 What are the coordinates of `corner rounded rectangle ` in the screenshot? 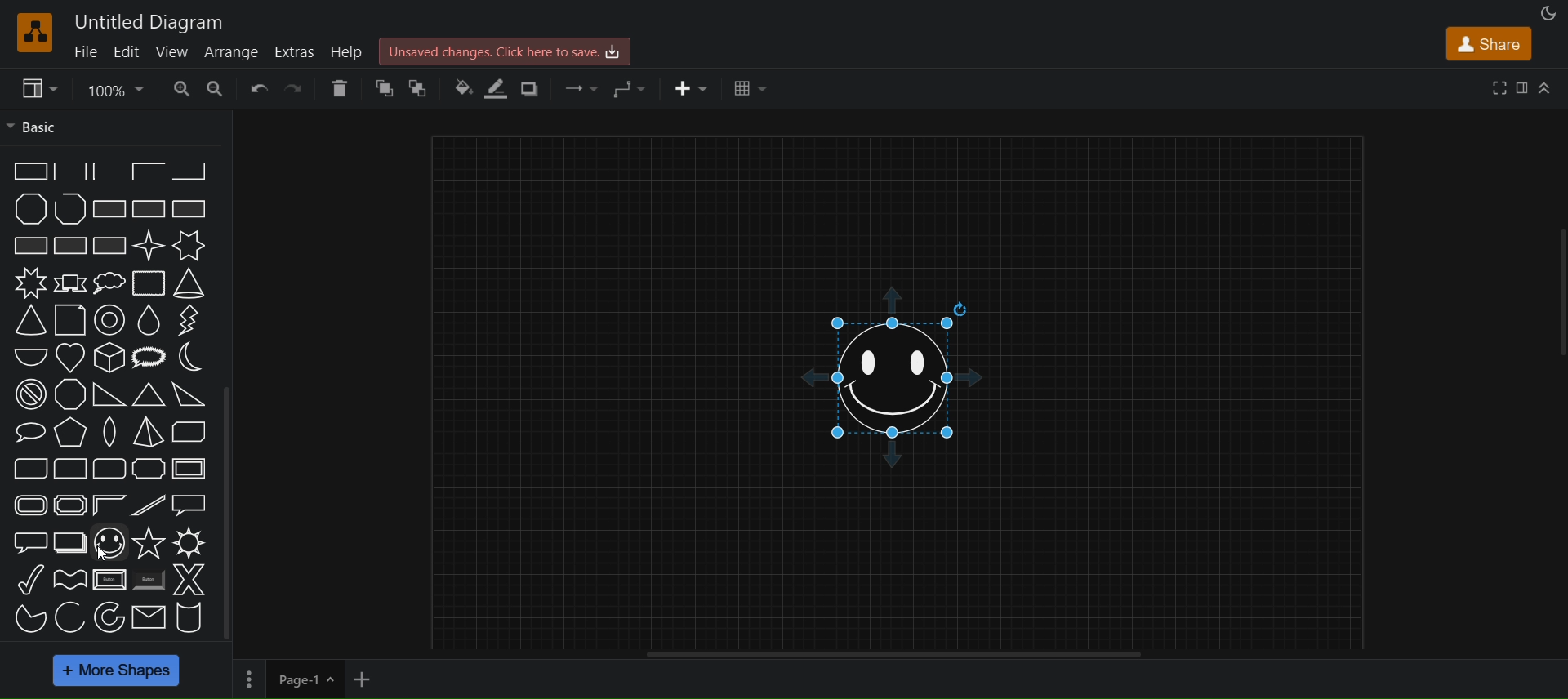 It's located at (69, 467).